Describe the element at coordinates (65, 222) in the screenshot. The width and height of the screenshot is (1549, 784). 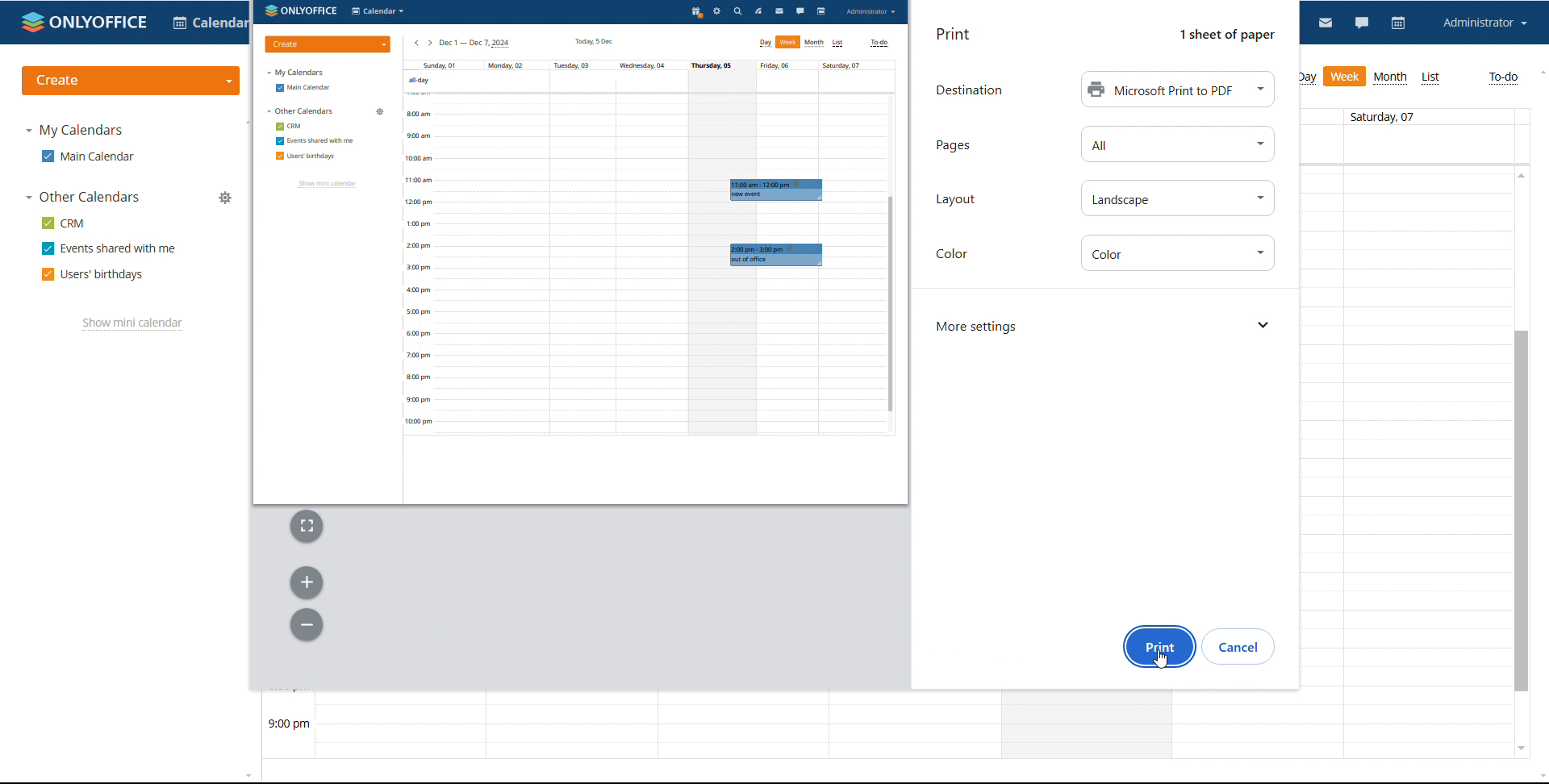
I see `crm` at that location.